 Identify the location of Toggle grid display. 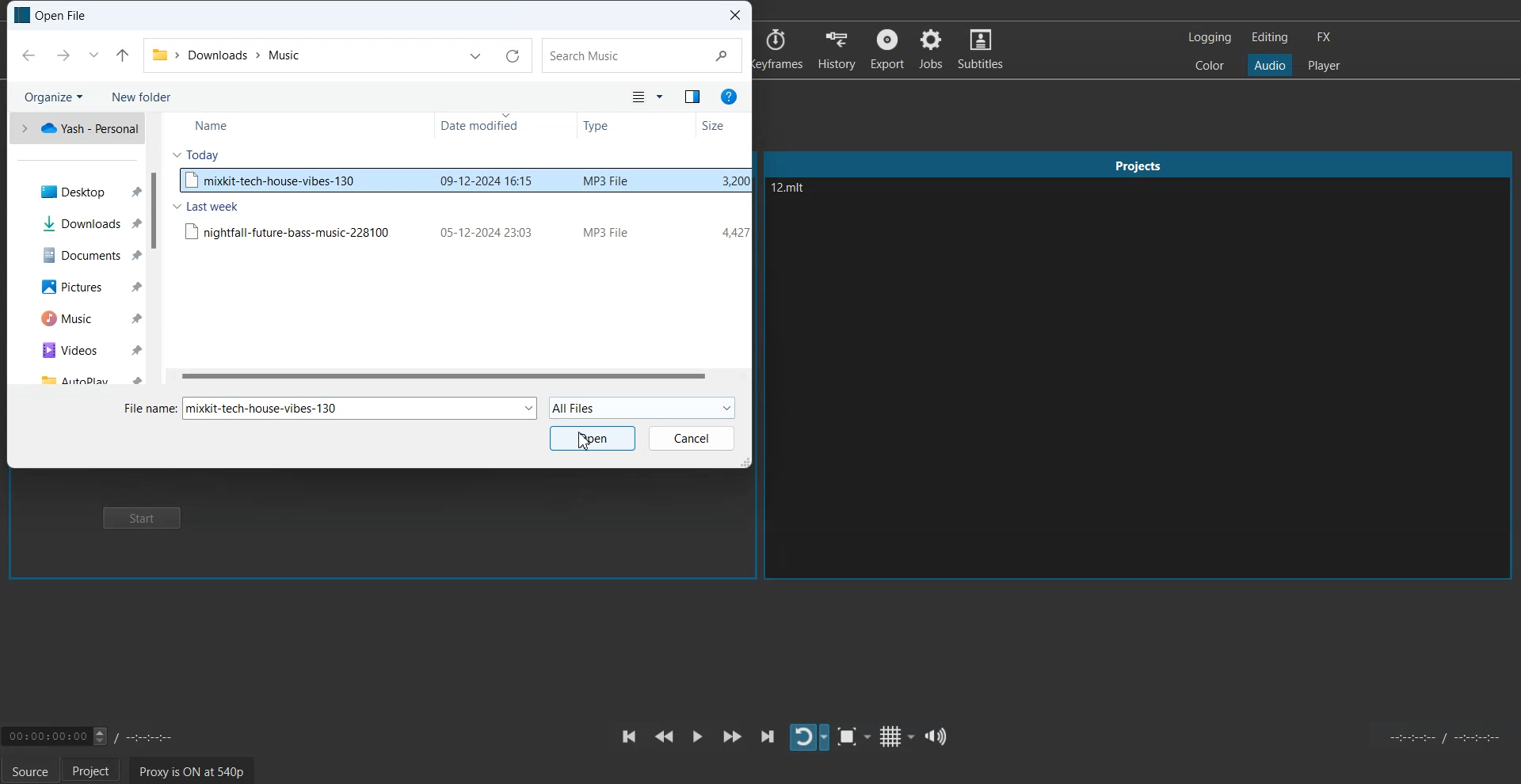
(896, 736).